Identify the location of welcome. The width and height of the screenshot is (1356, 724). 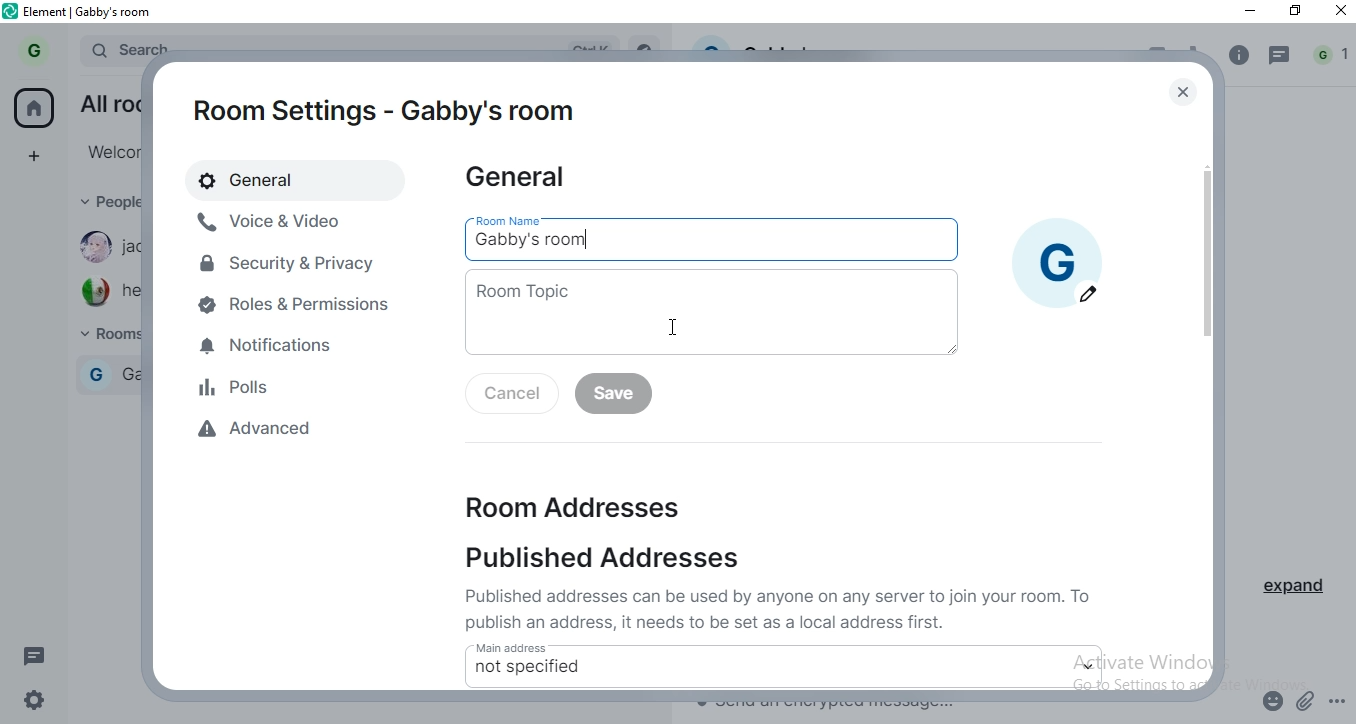
(108, 151).